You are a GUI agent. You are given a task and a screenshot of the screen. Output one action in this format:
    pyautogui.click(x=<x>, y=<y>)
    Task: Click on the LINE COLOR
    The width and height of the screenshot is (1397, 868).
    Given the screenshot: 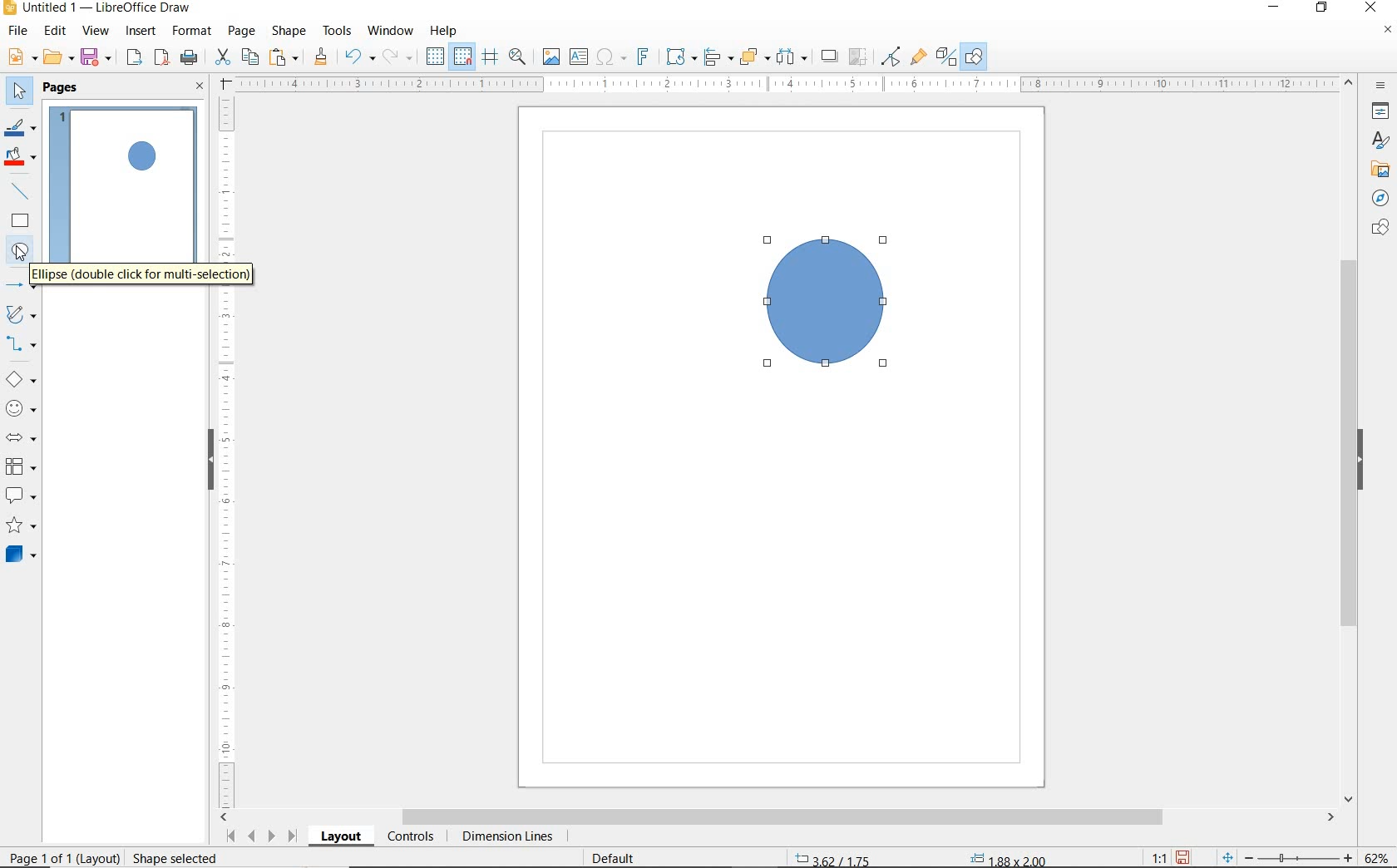 What is the action you would take?
    pyautogui.click(x=20, y=127)
    